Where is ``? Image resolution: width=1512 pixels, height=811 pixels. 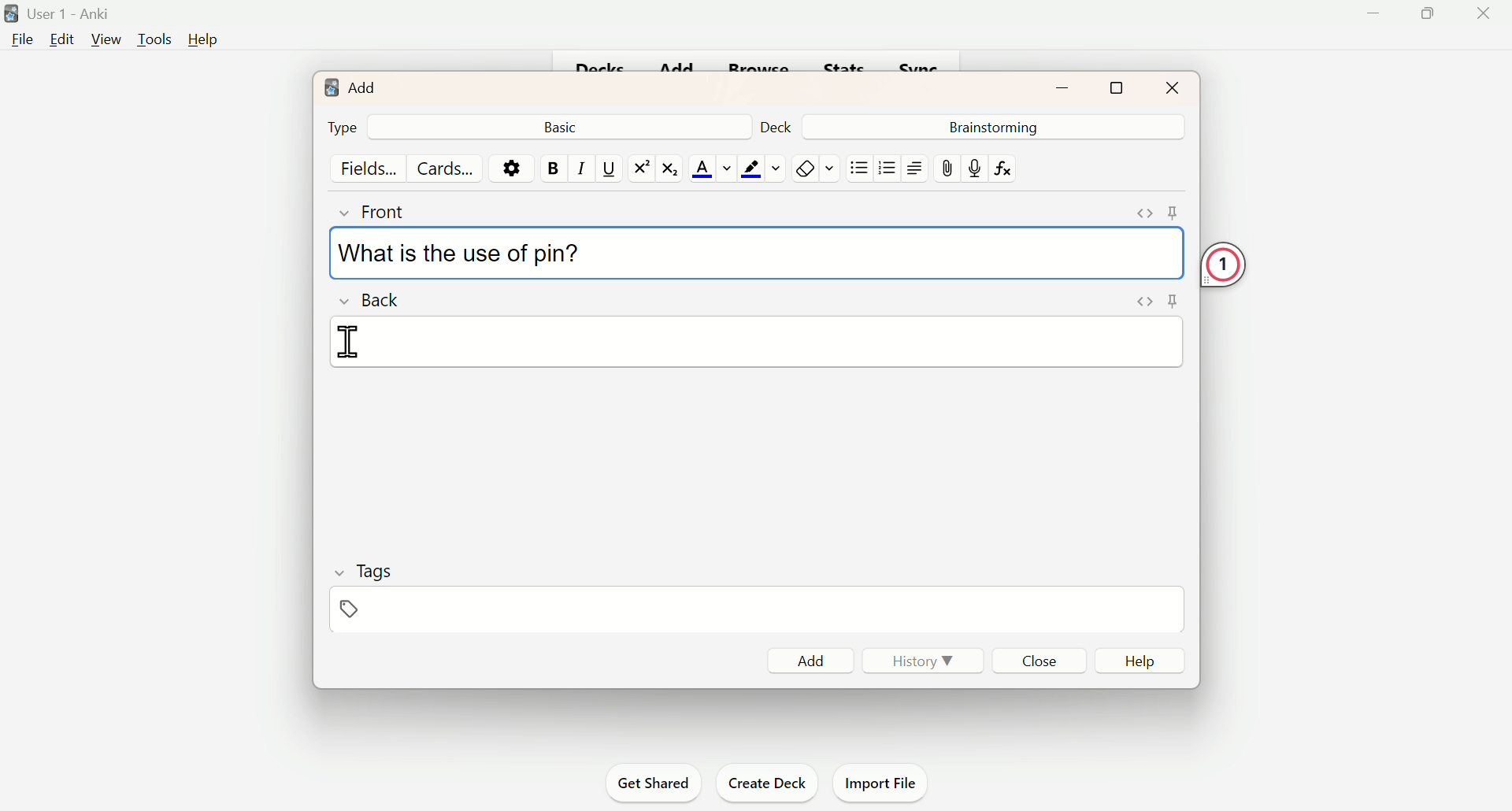
 is located at coordinates (563, 126).